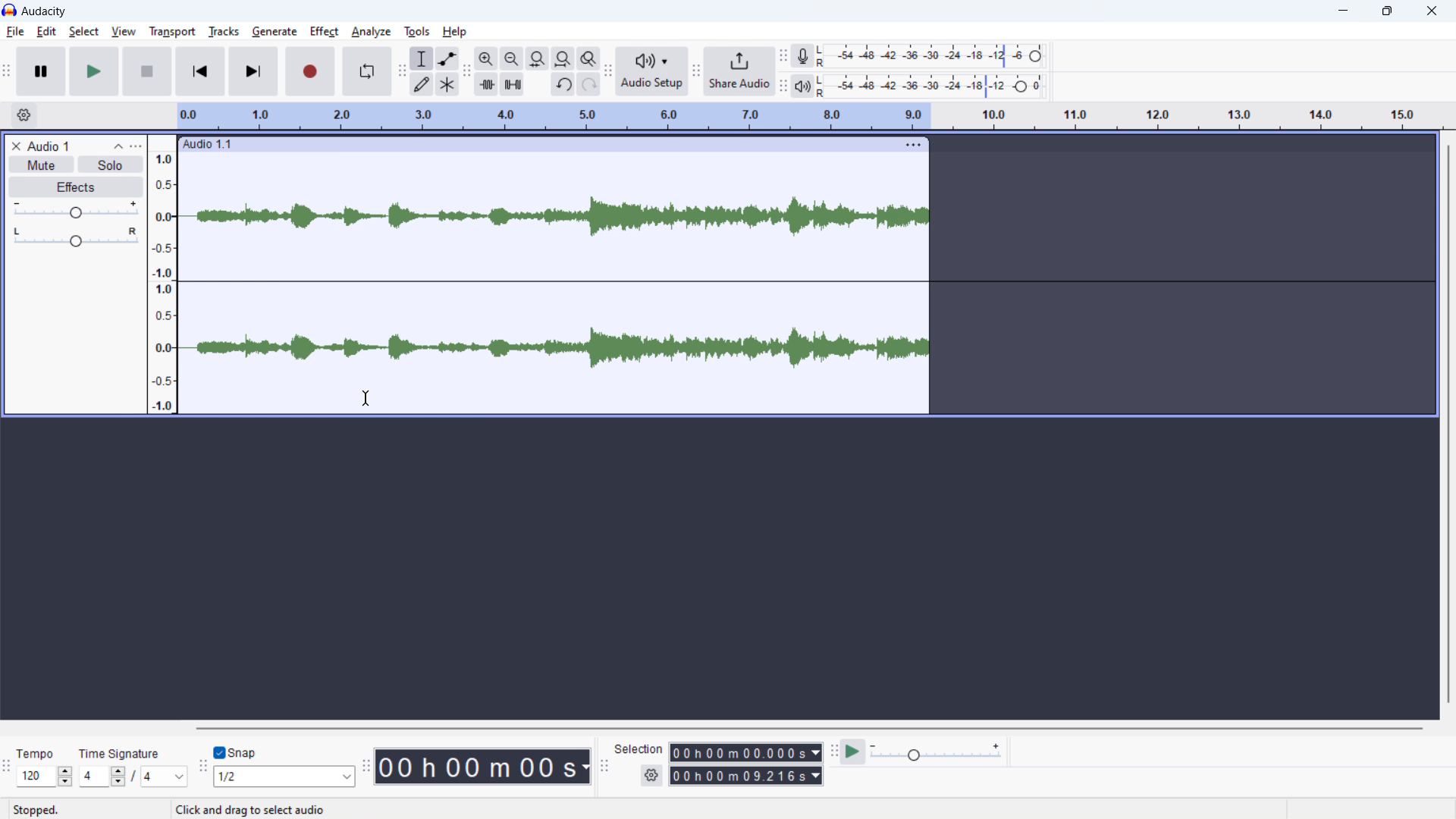  What do you see at coordinates (162, 274) in the screenshot?
I see `amplitude` at bounding box center [162, 274].